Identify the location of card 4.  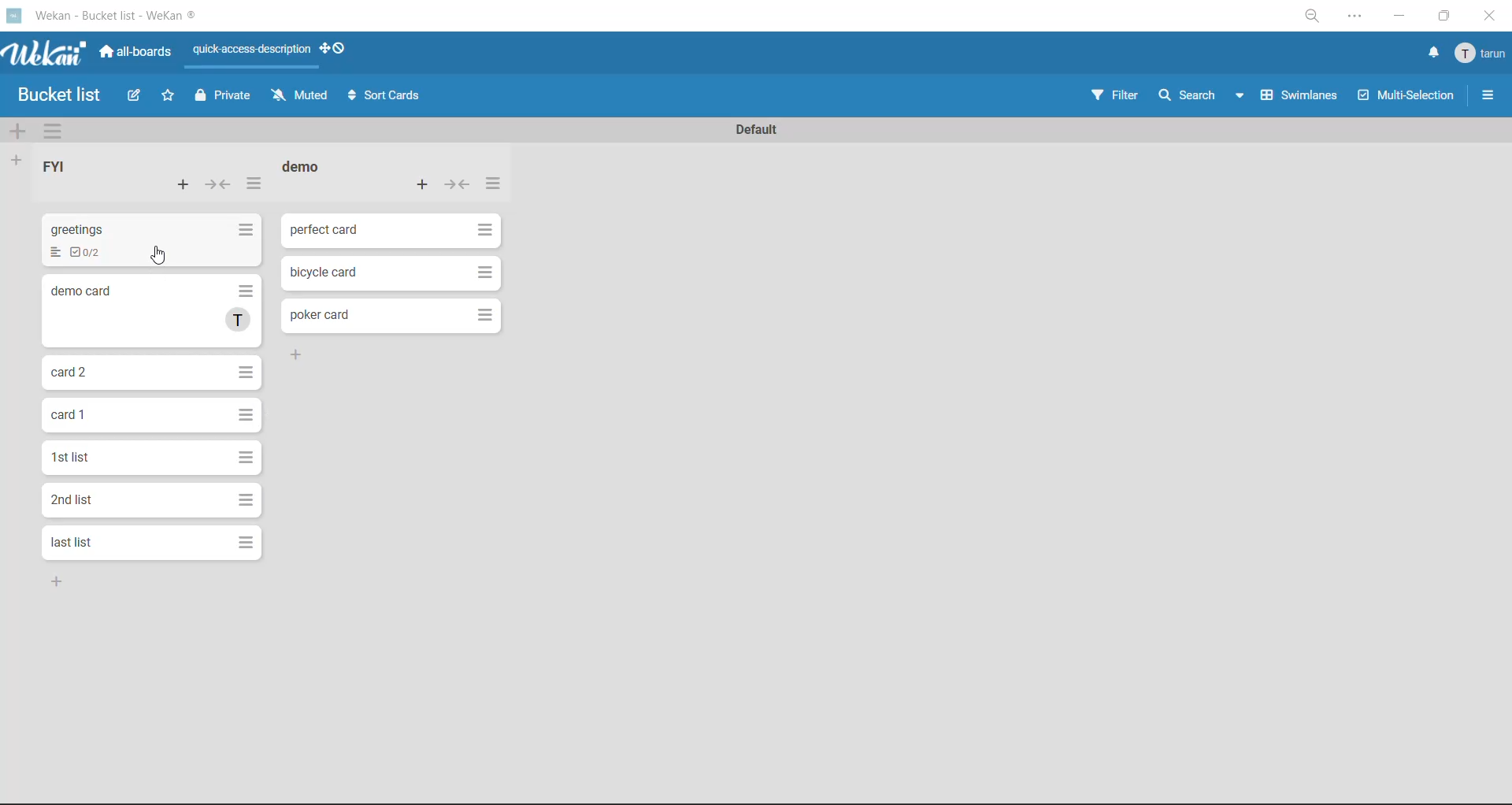
(152, 417).